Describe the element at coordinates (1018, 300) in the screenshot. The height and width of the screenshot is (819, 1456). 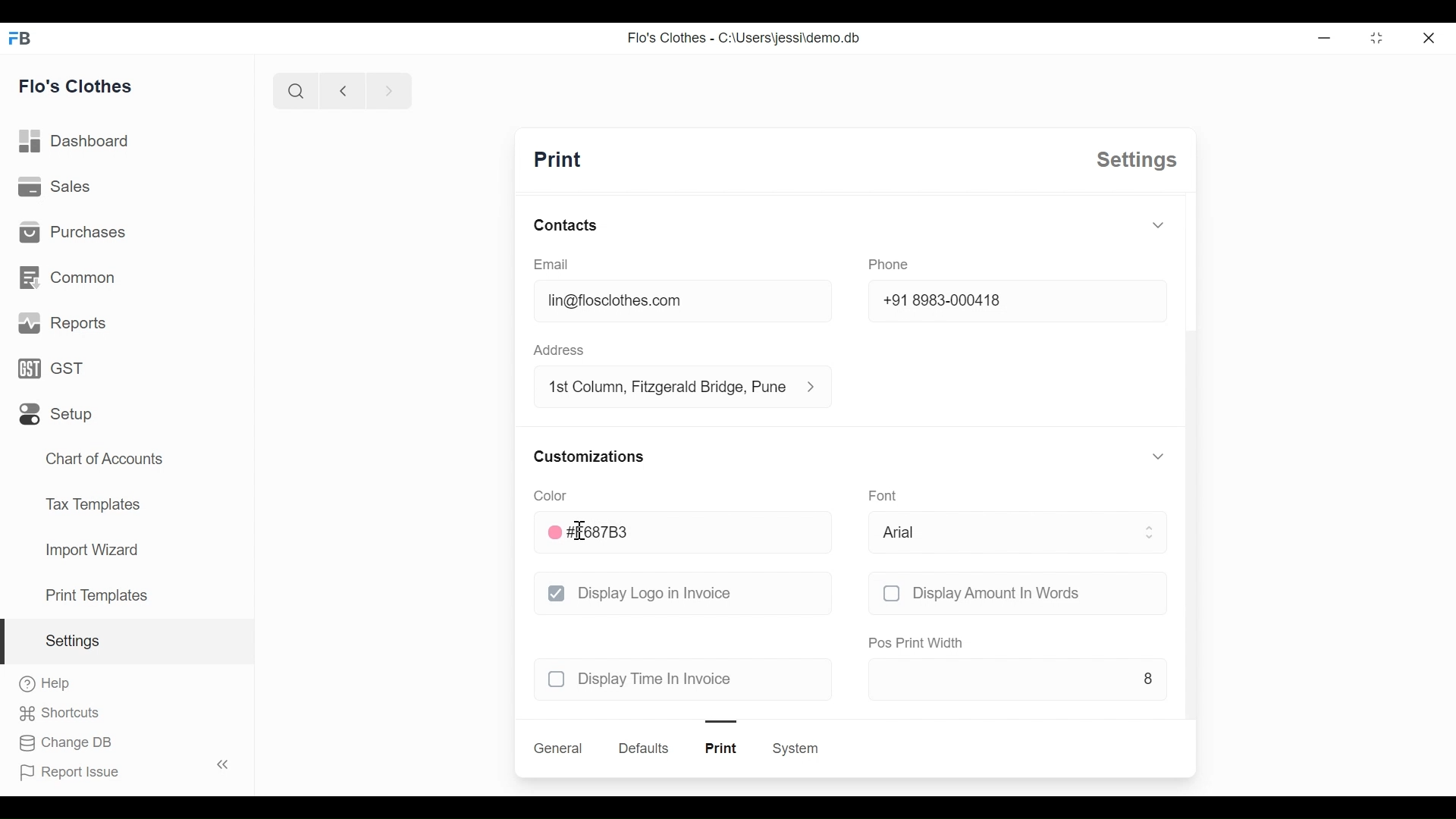
I see `+91 8983-000418` at that location.